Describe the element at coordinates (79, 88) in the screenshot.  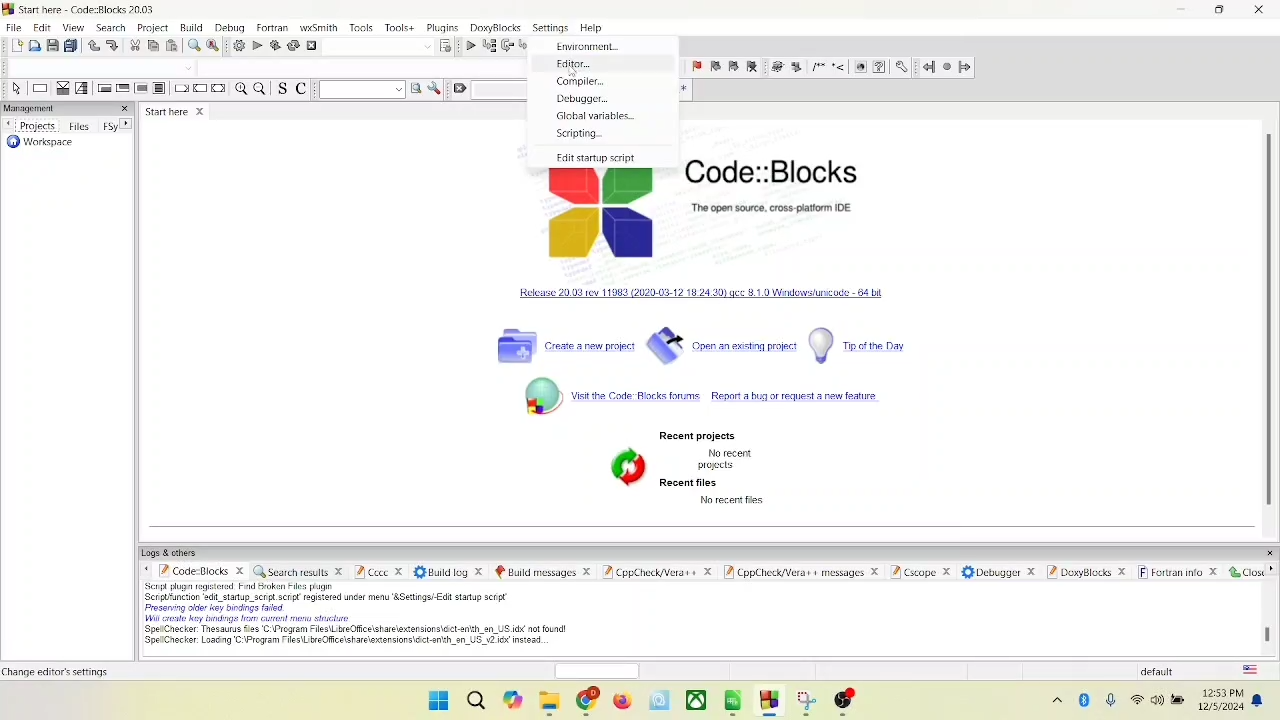
I see `selection` at that location.